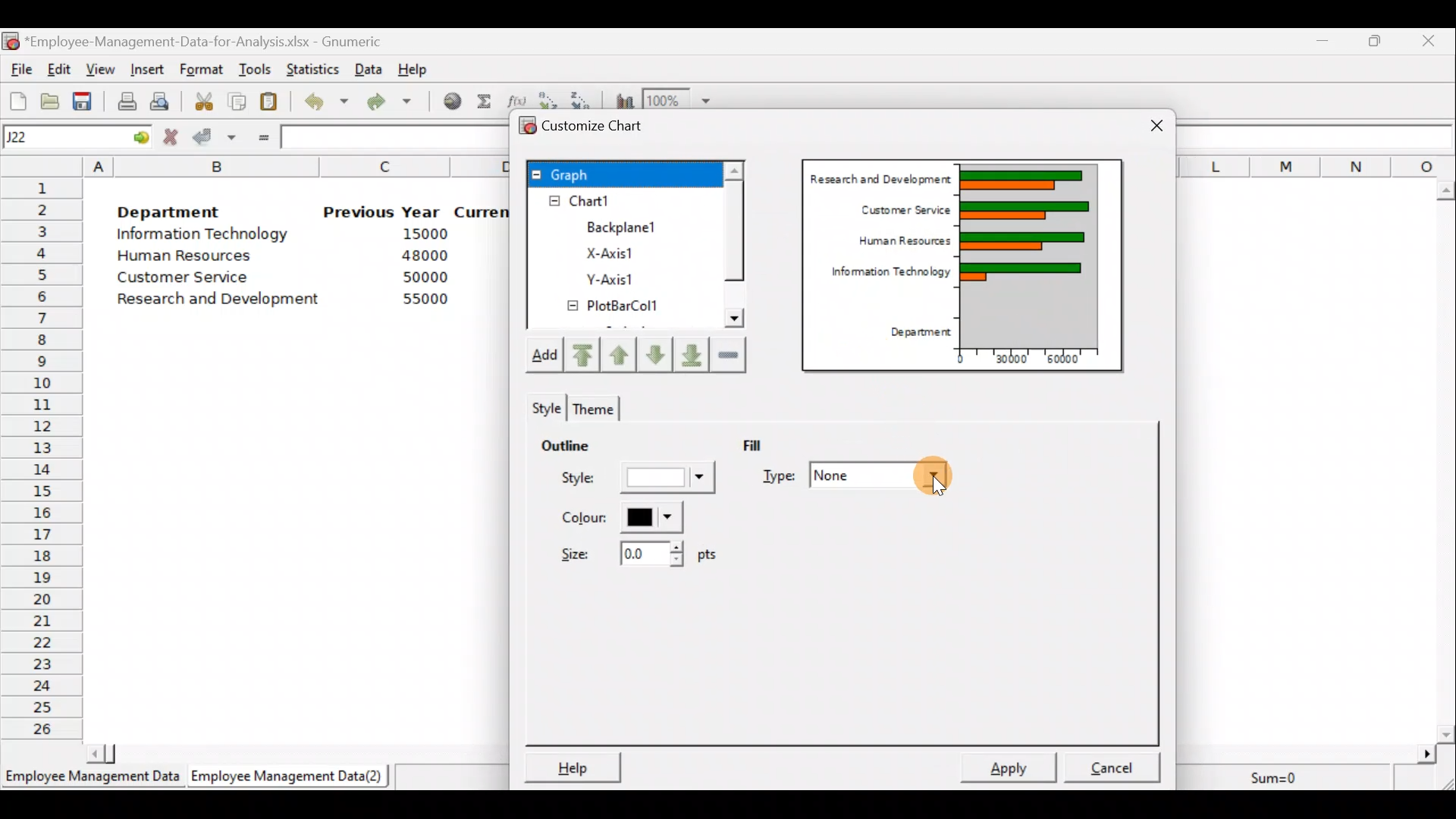 The width and height of the screenshot is (1456, 819). Describe the element at coordinates (623, 173) in the screenshot. I see `Graph` at that location.